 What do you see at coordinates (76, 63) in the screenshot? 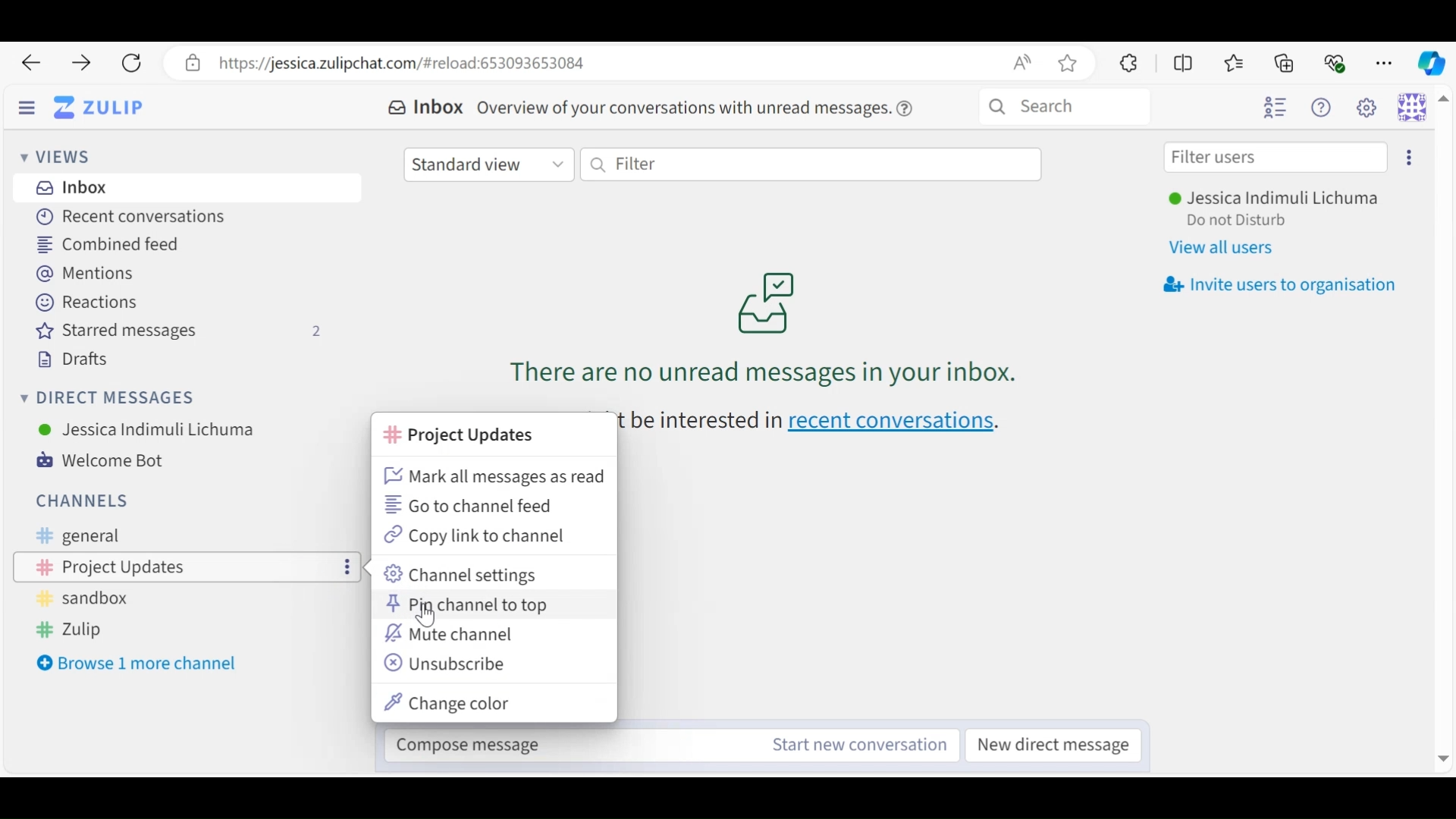
I see `Go Forward` at bounding box center [76, 63].